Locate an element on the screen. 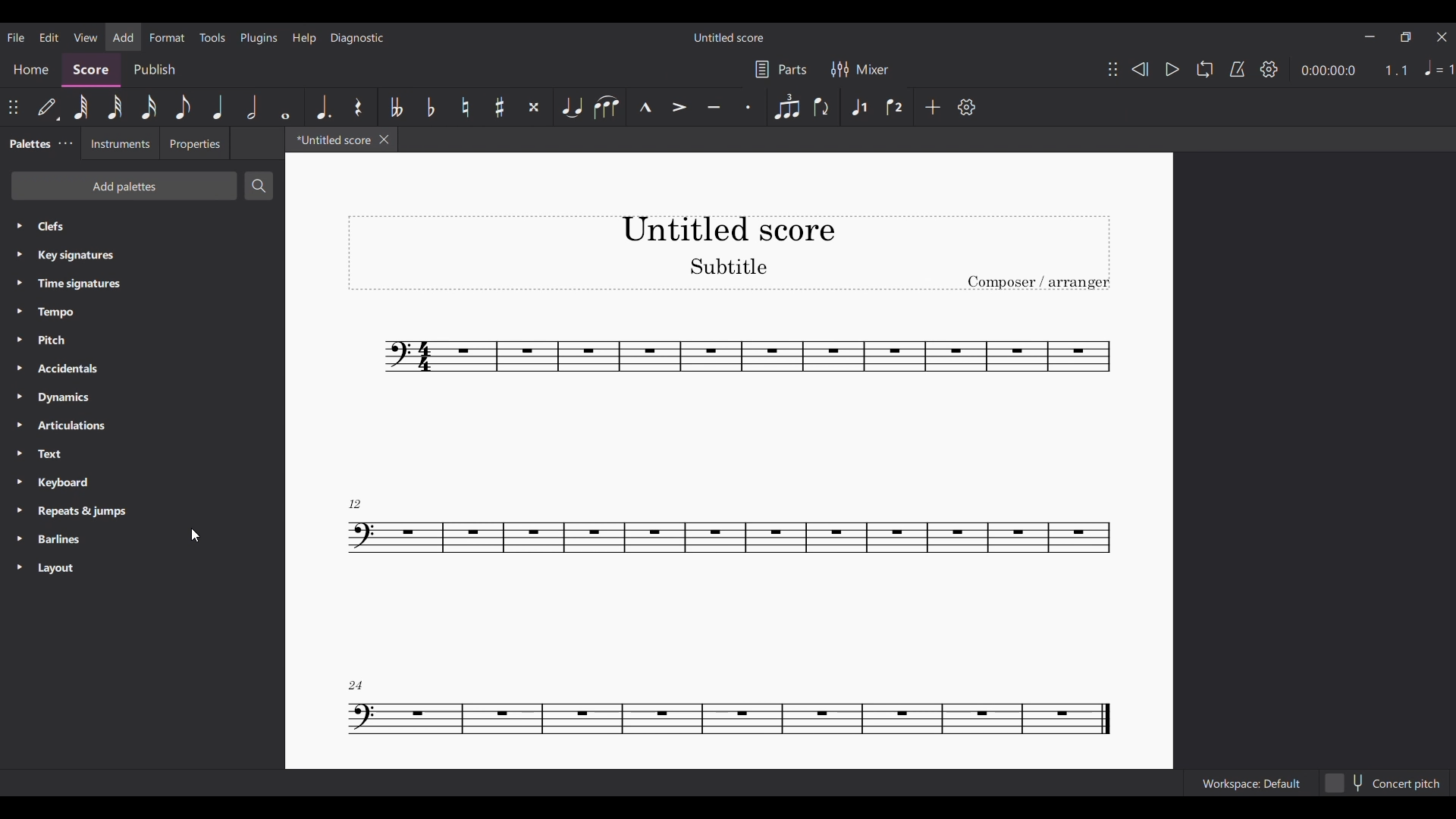 This screenshot has height=819, width=1456. Add palettes is located at coordinates (133, 187).